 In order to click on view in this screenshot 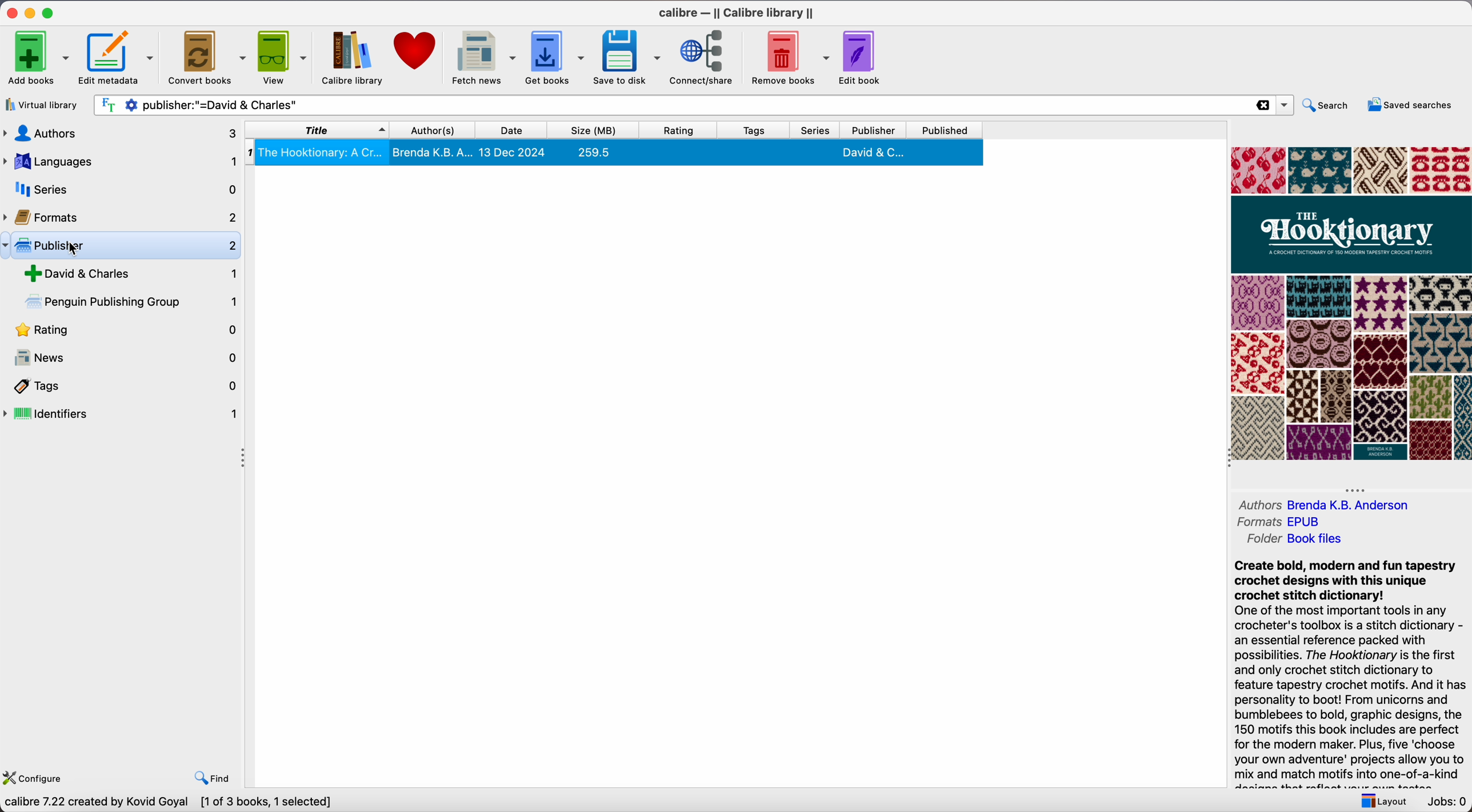, I will do `click(283, 57)`.